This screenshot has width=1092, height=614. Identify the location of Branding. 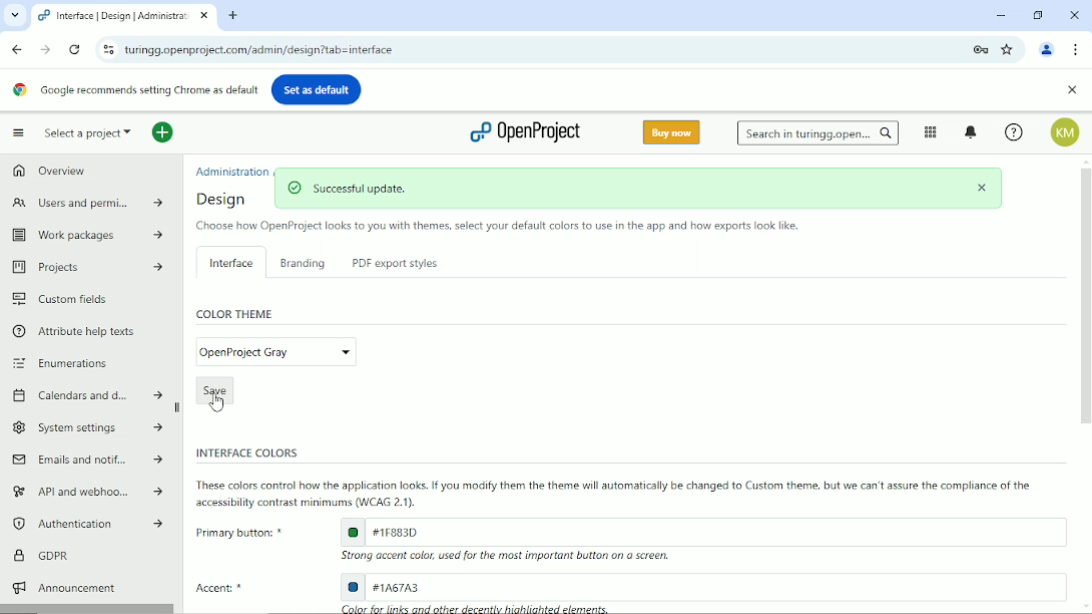
(303, 263).